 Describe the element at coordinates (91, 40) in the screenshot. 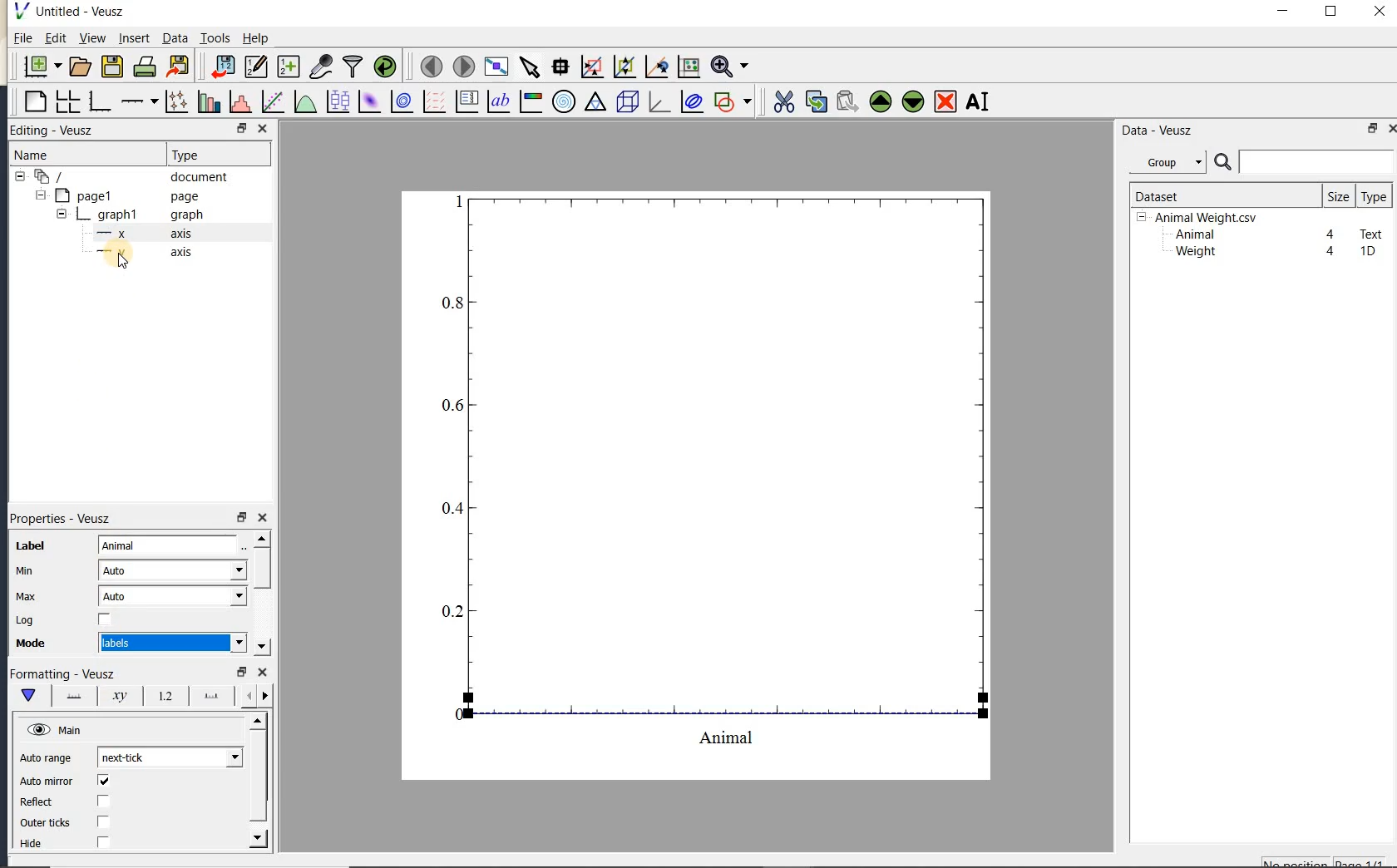

I see `view` at that location.